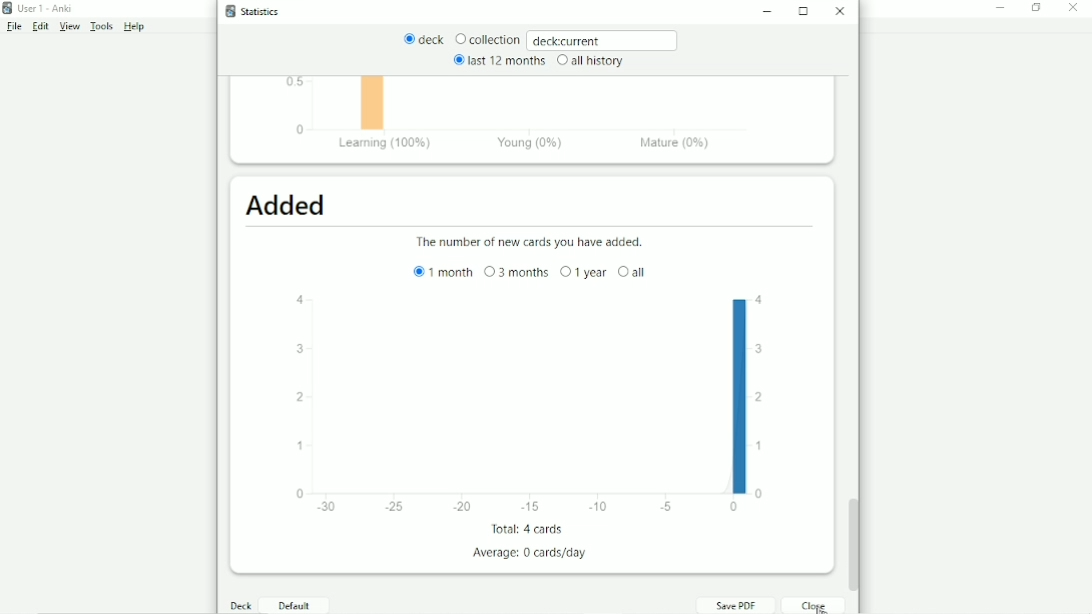 This screenshot has width=1092, height=614. Describe the element at coordinates (842, 11) in the screenshot. I see `Close` at that location.